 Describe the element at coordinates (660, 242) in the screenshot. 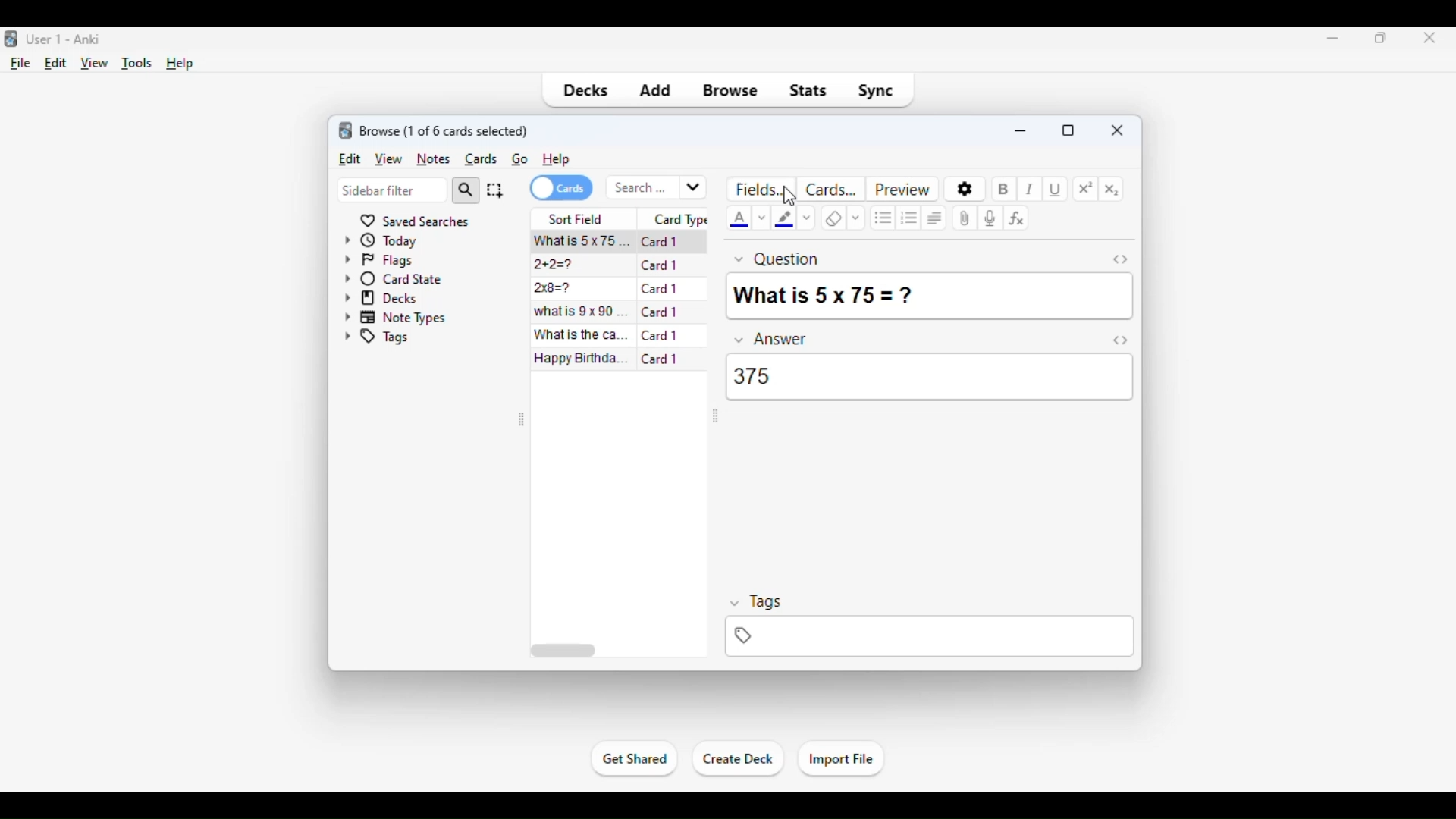

I see `card 1` at that location.